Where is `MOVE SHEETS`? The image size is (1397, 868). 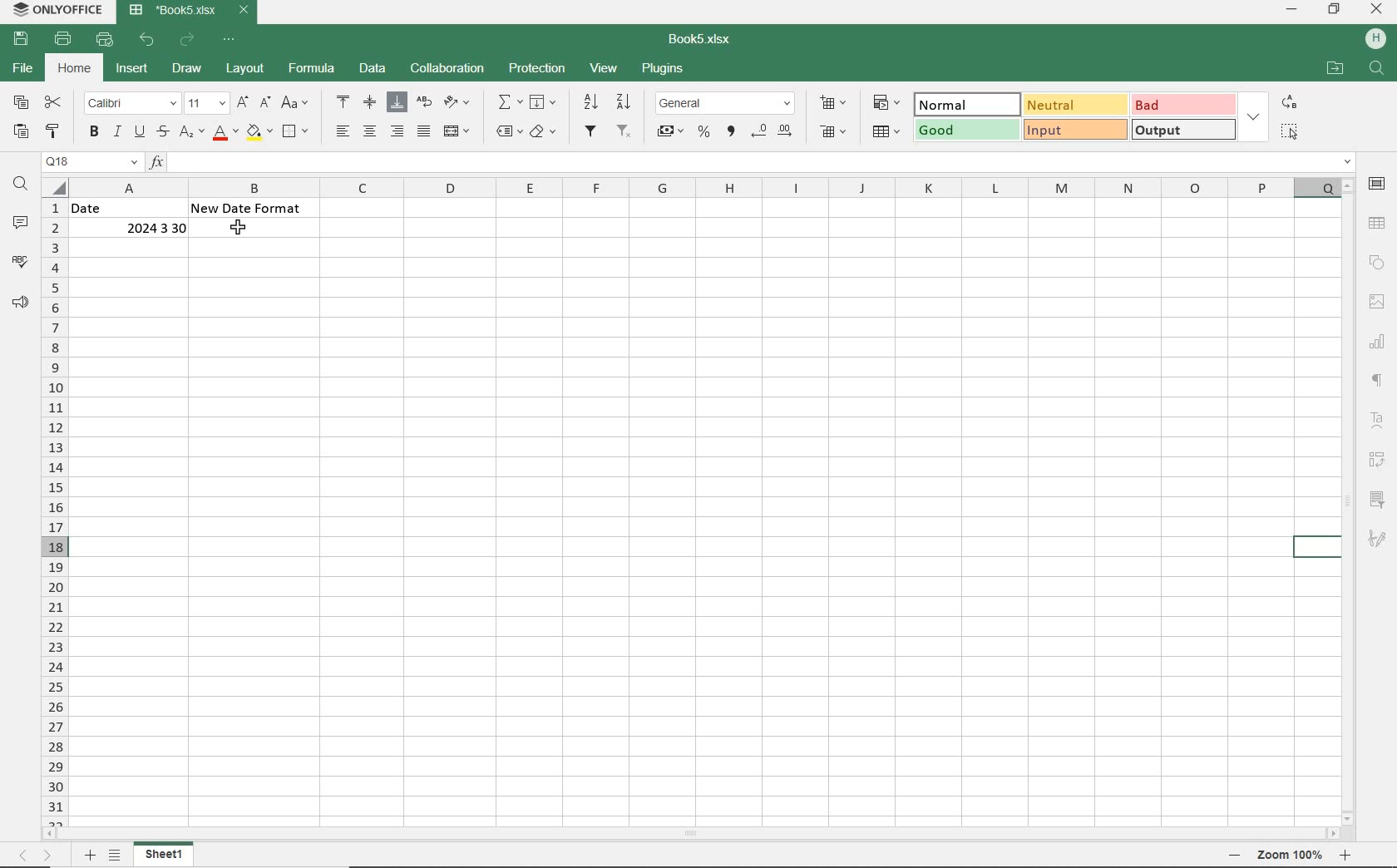
MOVE SHEETS is located at coordinates (34, 856).